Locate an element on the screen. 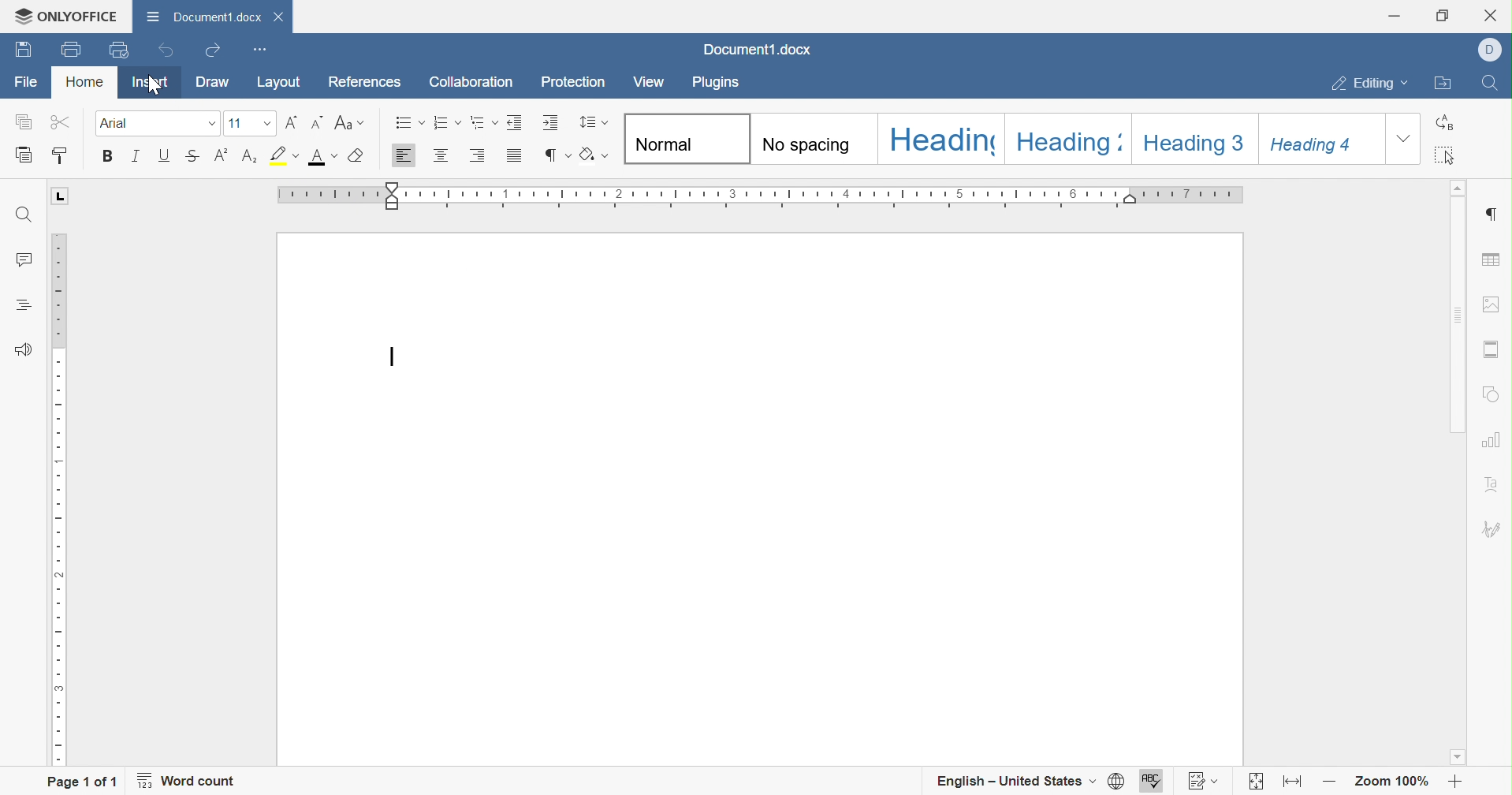  Save is located at coordinates (23, 48).